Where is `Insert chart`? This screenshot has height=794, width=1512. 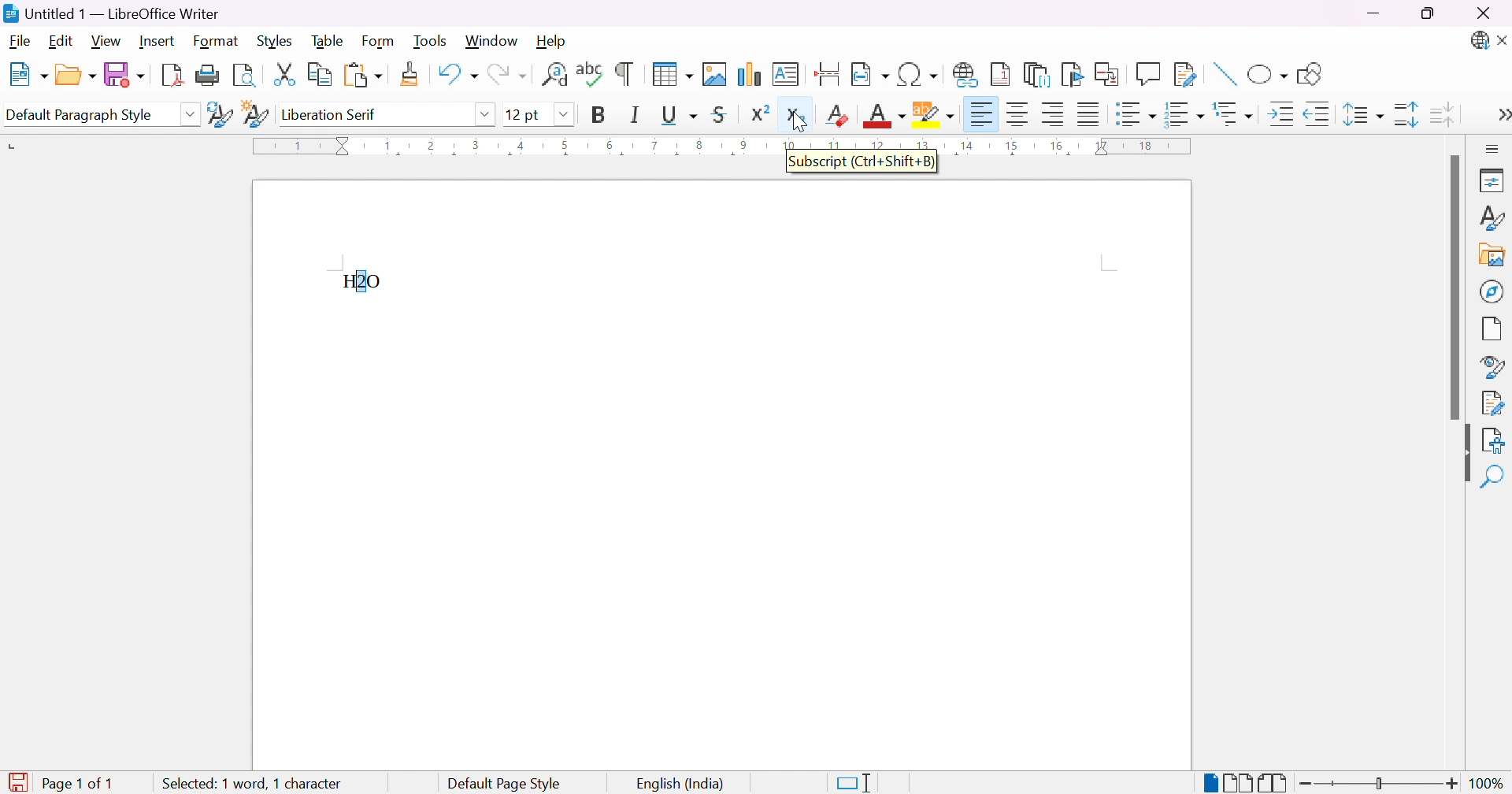
Insert chart is located at coordinates (751, 76).